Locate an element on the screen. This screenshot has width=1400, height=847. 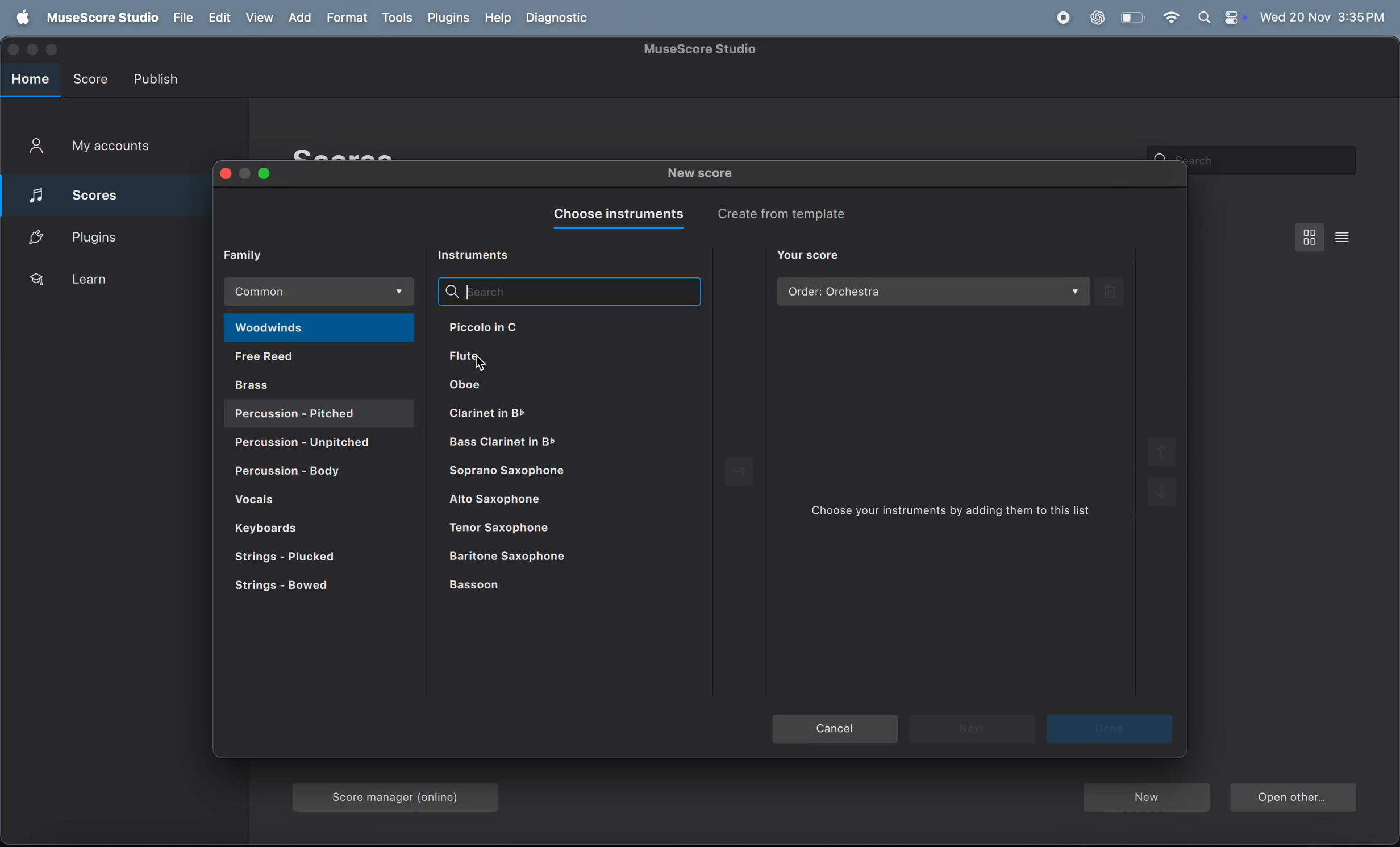
baltimore saxophone is located at coordinates (557, 557).